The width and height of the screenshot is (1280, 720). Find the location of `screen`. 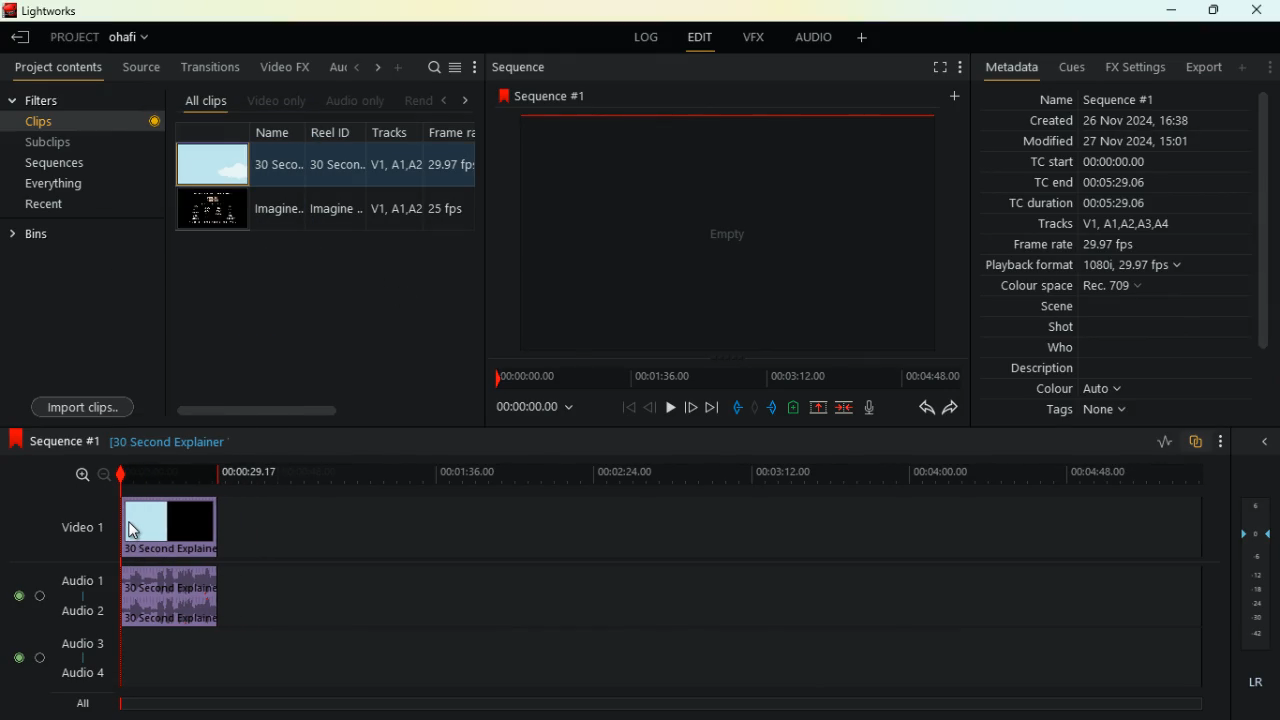

screen is located at coordinates (725, 235).